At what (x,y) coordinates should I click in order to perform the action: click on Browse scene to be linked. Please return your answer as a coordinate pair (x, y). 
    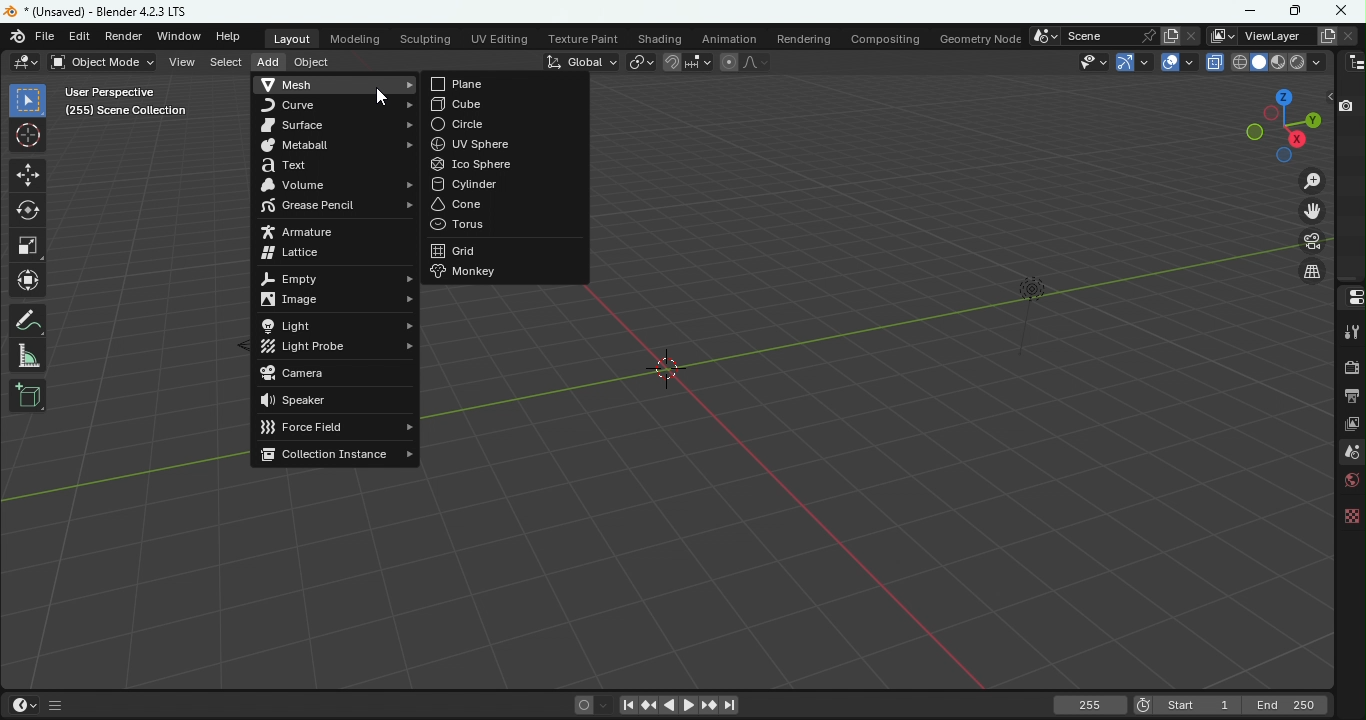
    Looking at the image, I should click on (1044, 36).